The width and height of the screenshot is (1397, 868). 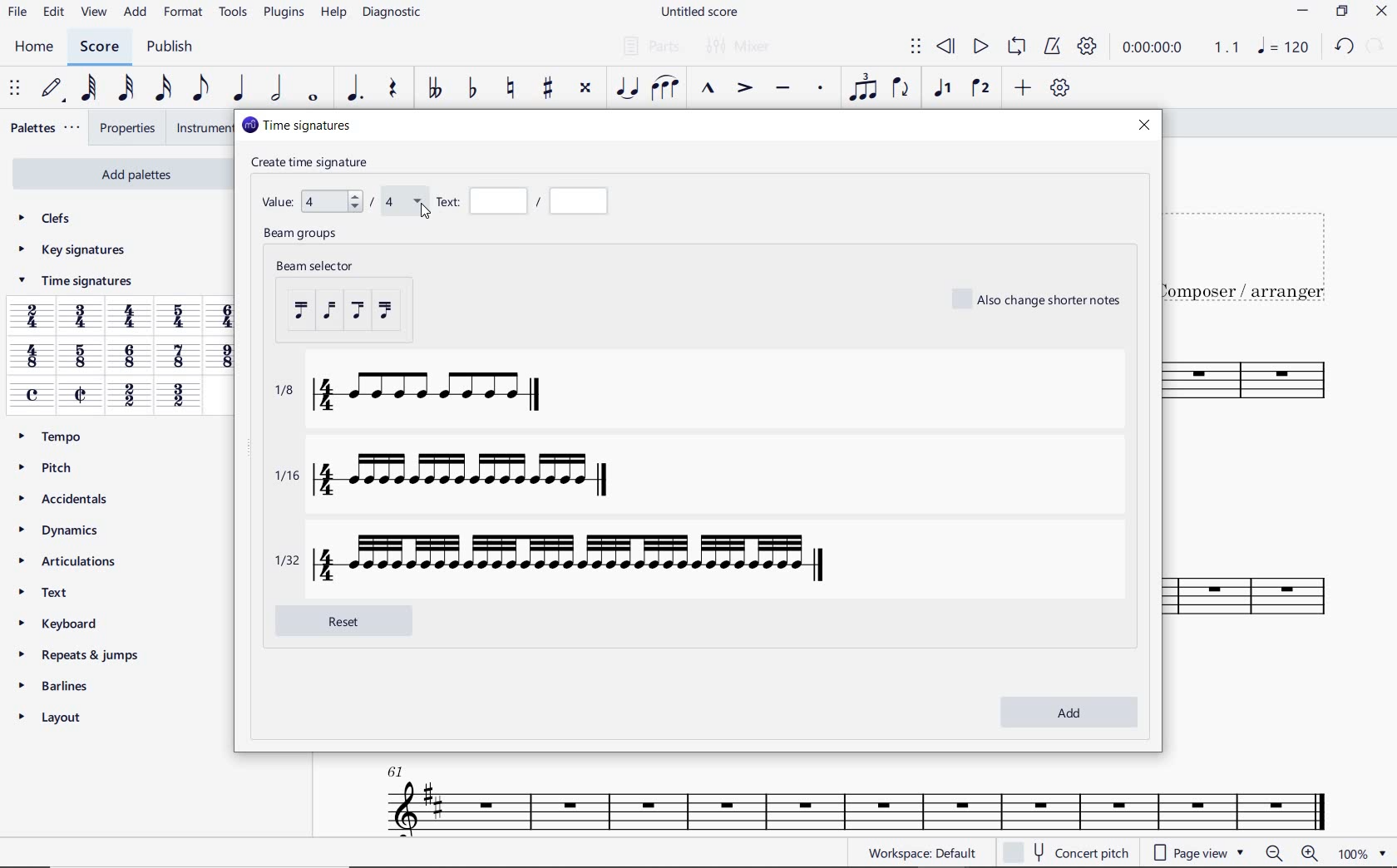 I want to click on TOGGLE NATURAL, so click(x=513, y=89).